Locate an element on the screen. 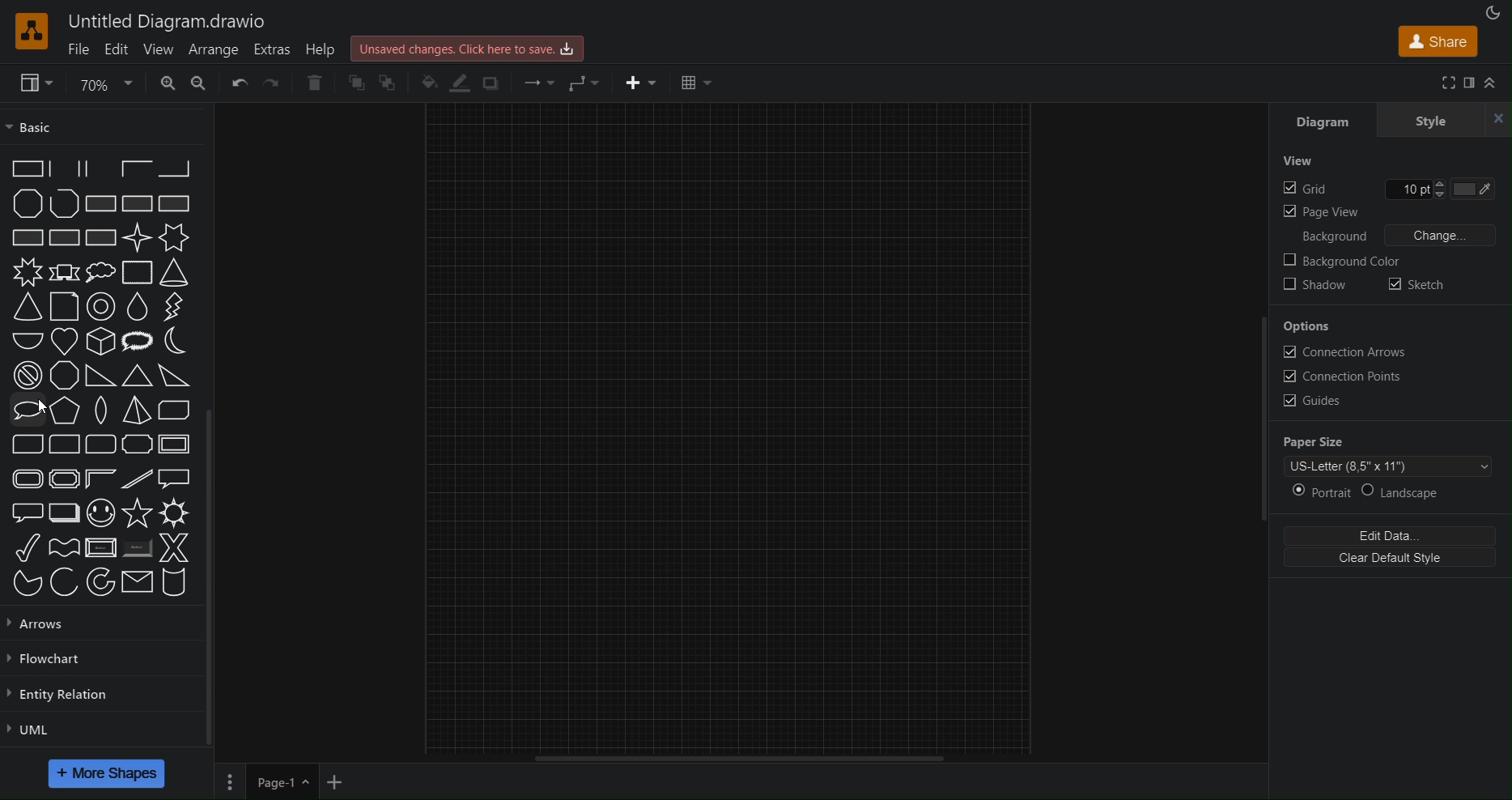  Cloud Rectangle is located at coordinates (138, 272).